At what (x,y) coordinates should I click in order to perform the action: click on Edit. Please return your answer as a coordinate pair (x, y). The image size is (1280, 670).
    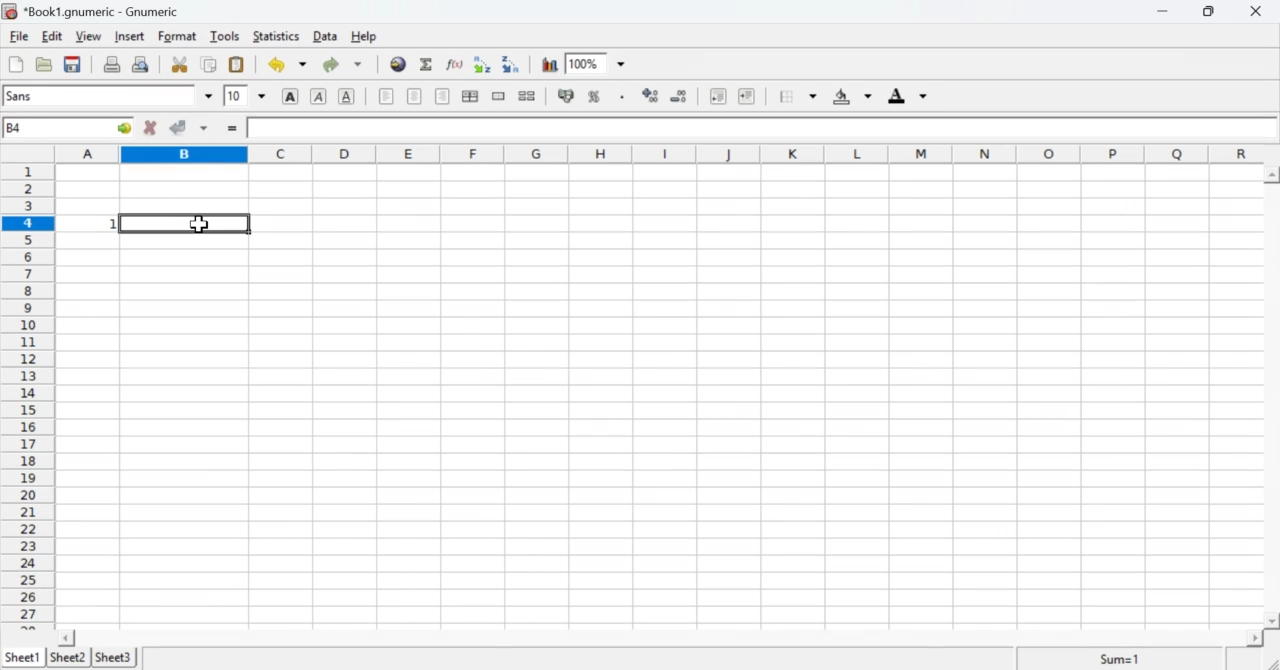
    Looking at the image, I should click on (55, 37).